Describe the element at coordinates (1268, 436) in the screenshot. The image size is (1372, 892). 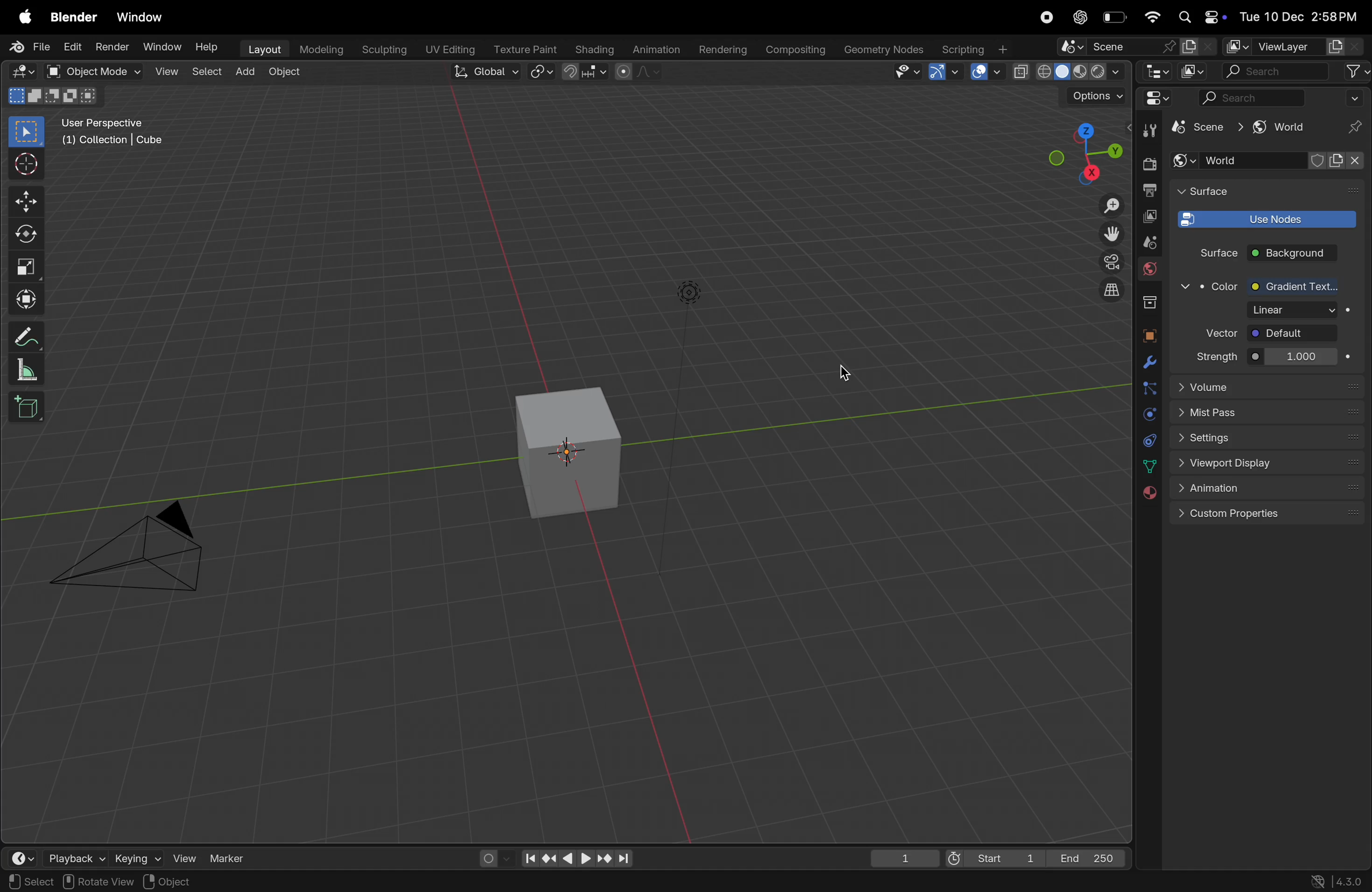
I see `settings` at that location.